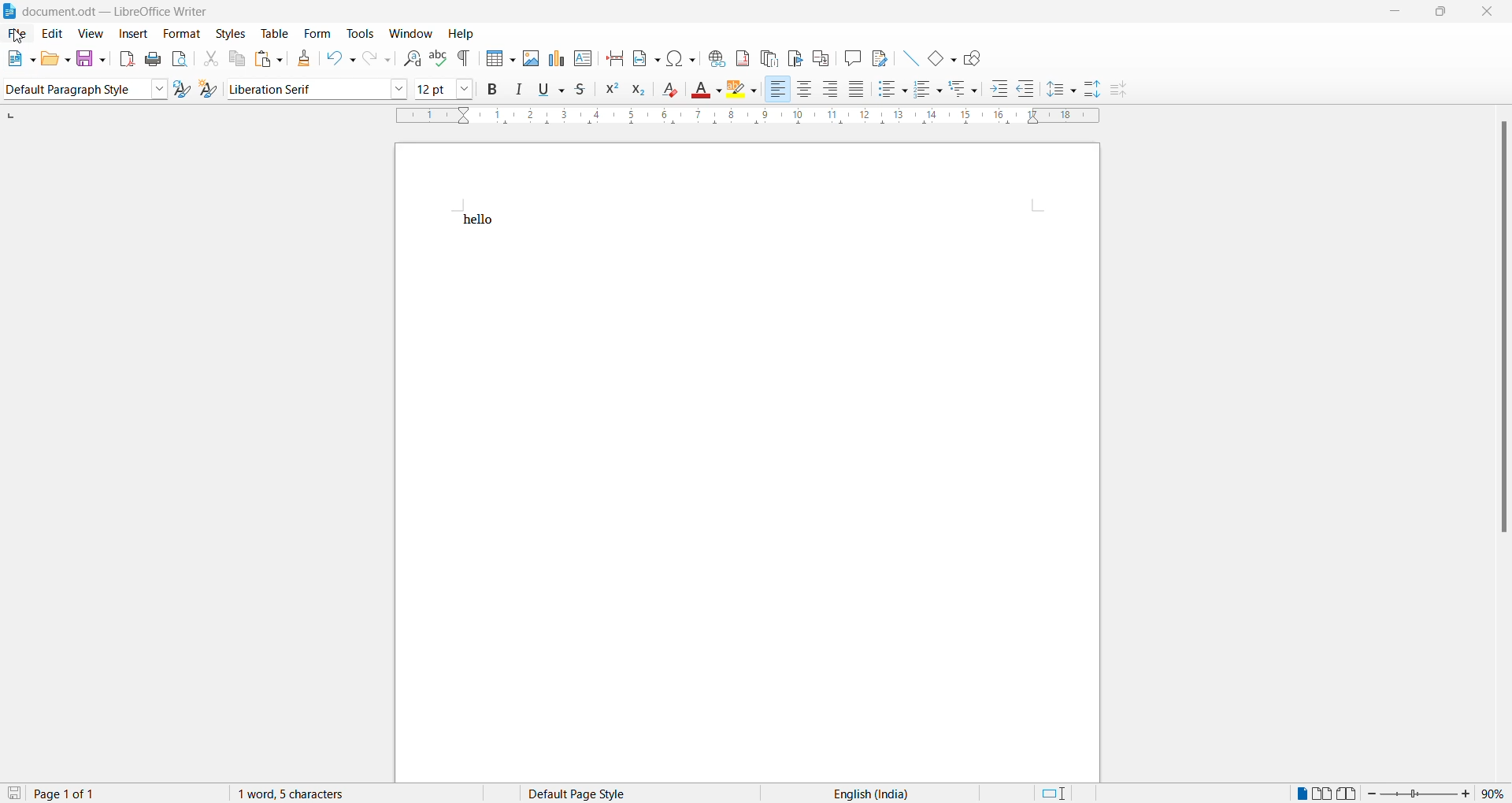  Describe the element at coordinates (550, 92) in the screenshot. I see `Underline` at that location.